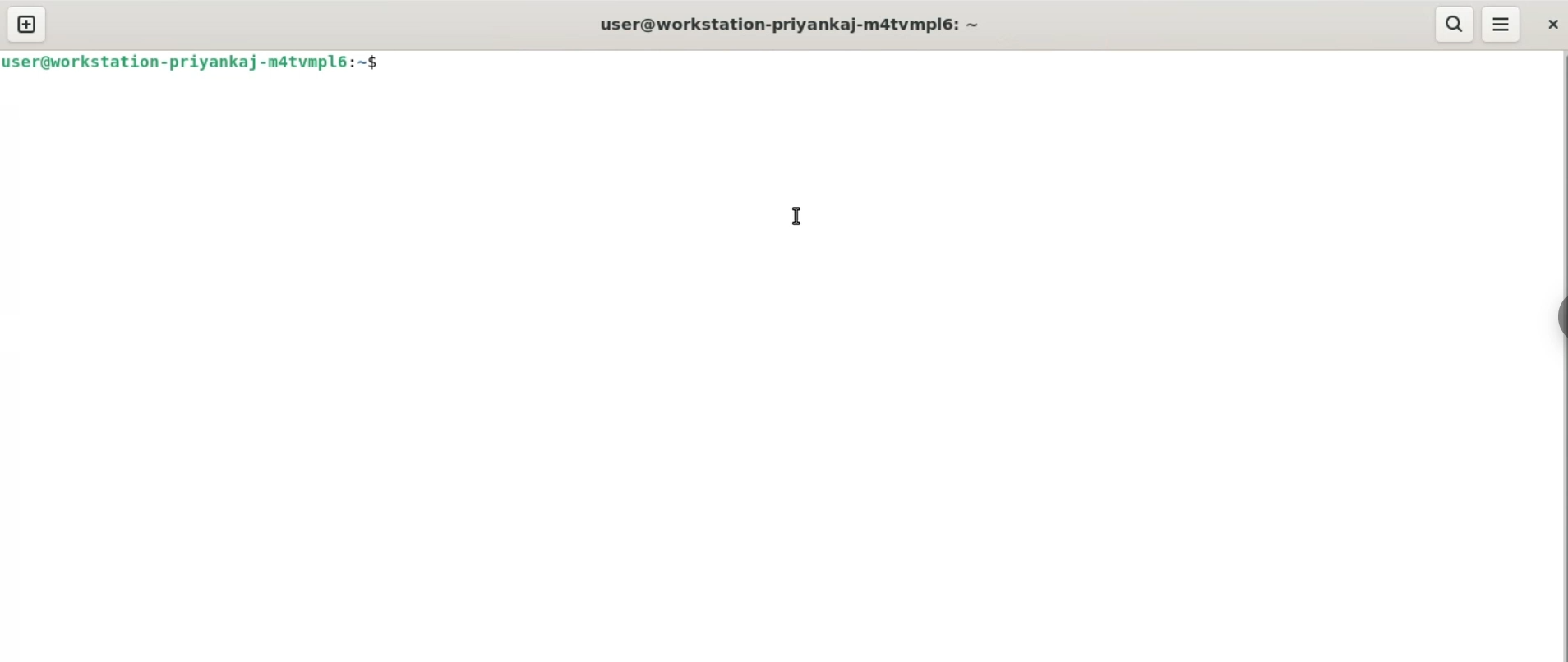 The height and width of the screenshot is (662, 1568). Describe the element at coordinates (26, 25) in the screenshot. I see `new tab` at that location.